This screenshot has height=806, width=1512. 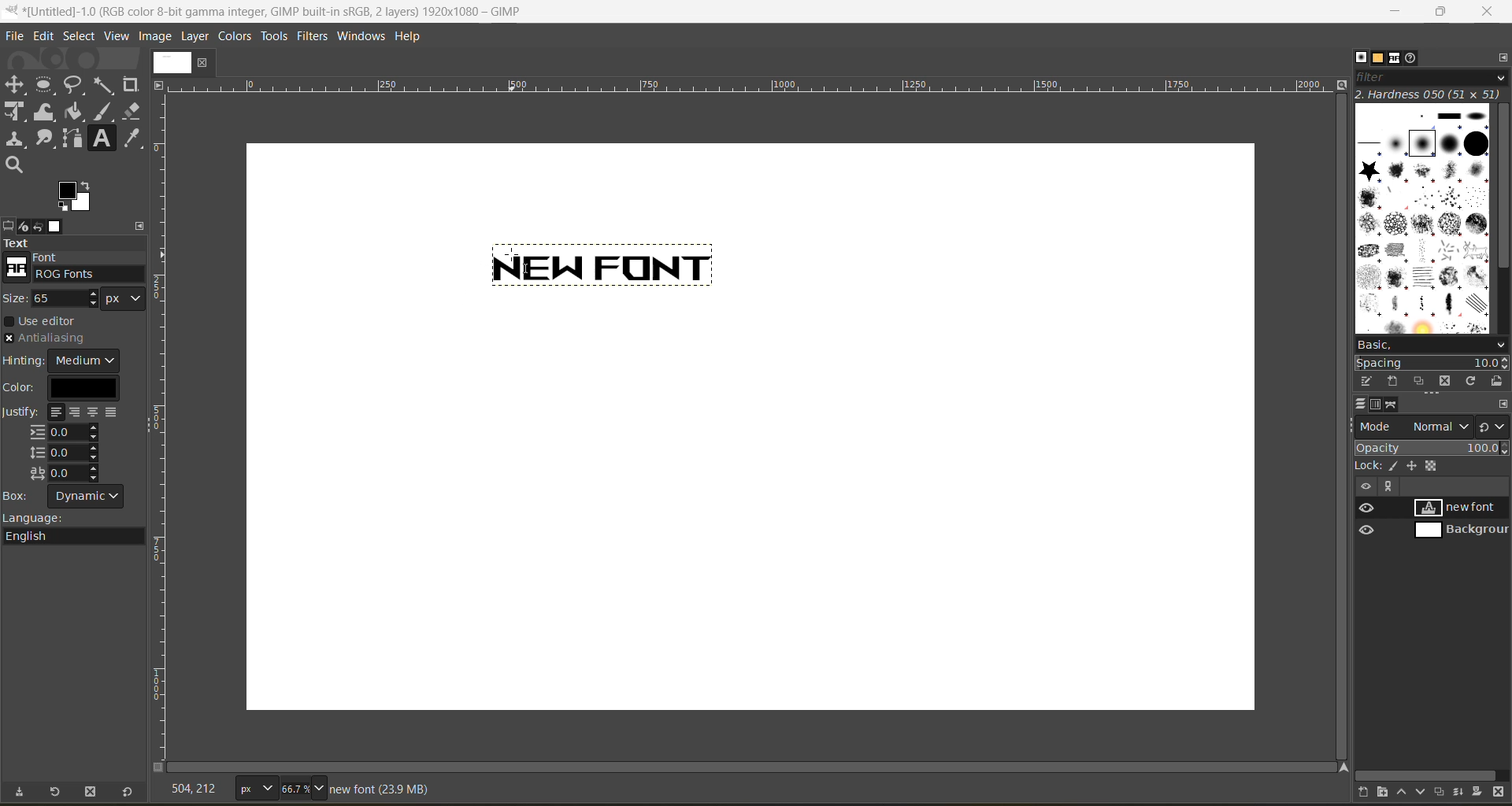 I want to click on images, so click(x=57, y=226).